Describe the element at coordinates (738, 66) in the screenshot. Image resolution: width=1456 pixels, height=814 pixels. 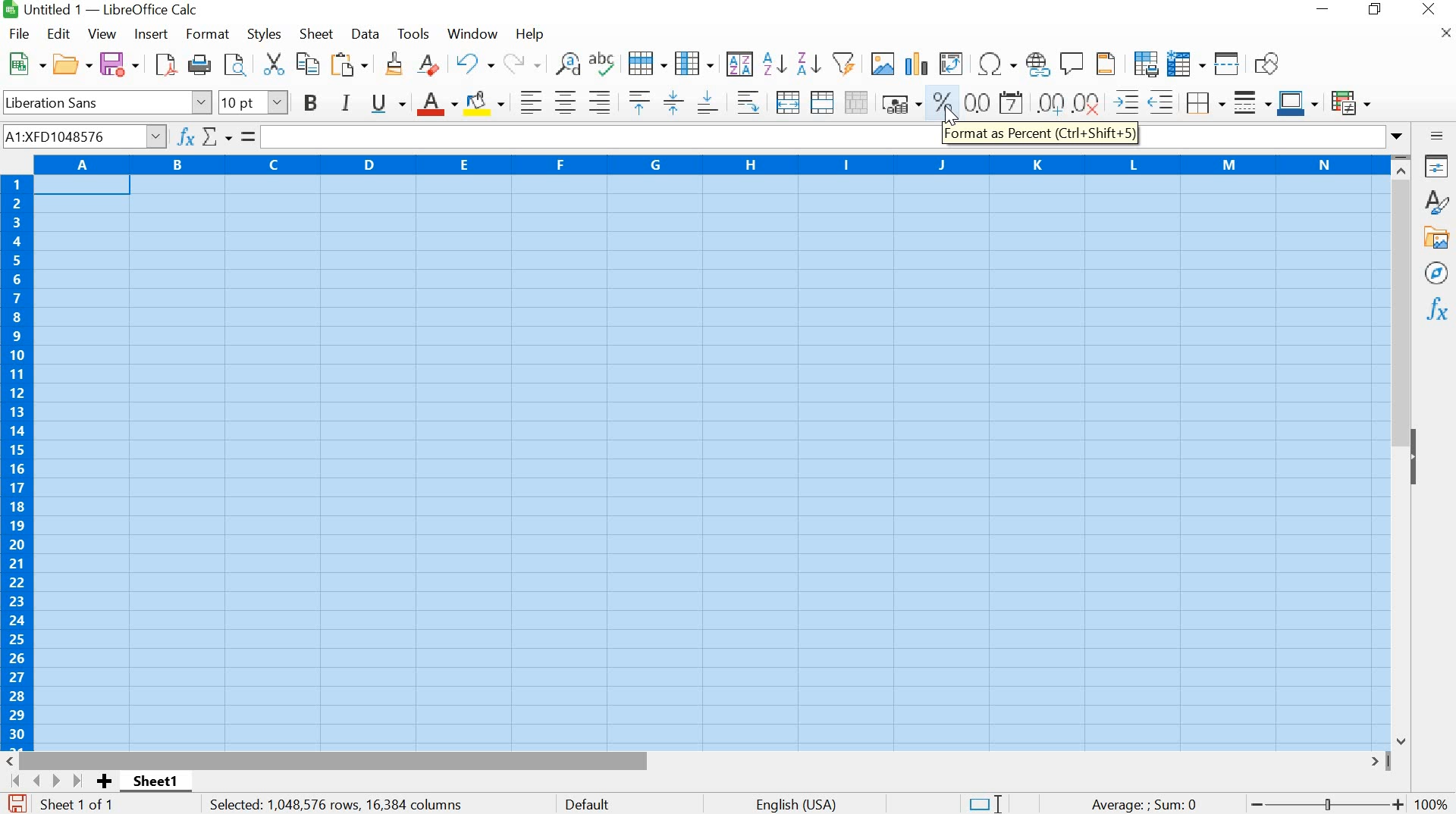
I see `SORT` at that location.